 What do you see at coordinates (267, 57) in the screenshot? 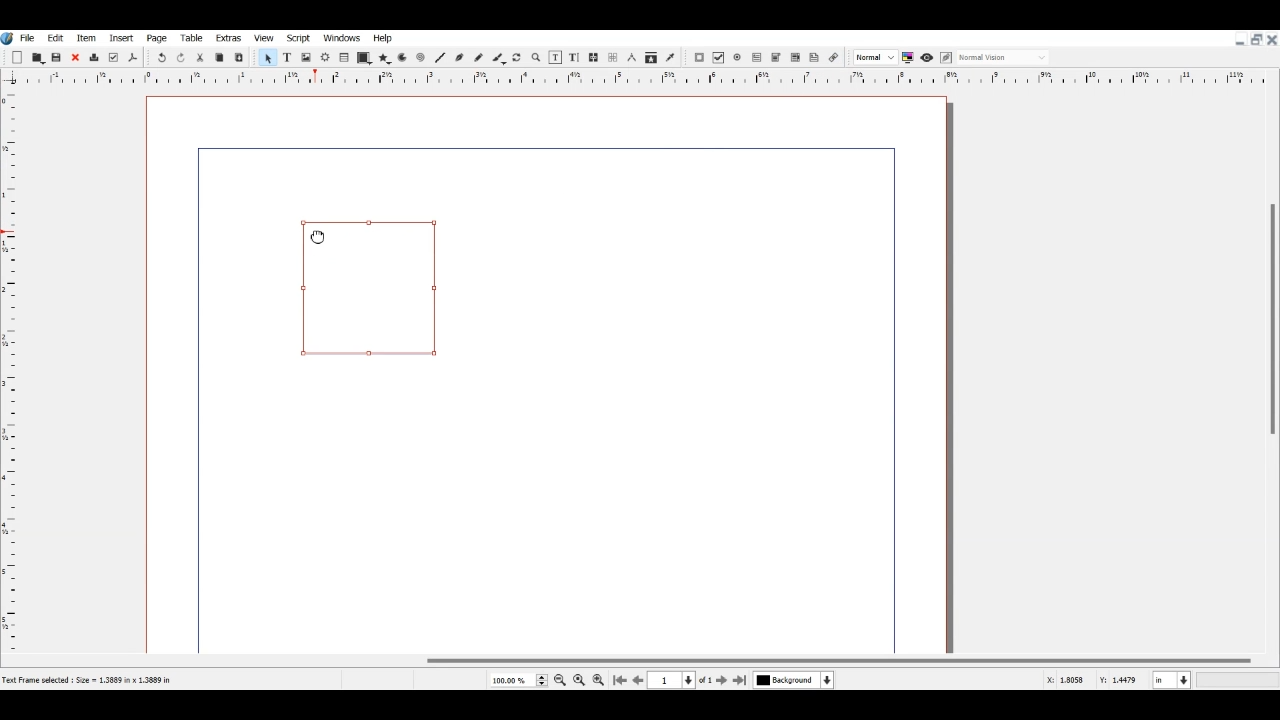
I see `Select Item` at bounding box center [267, 57].